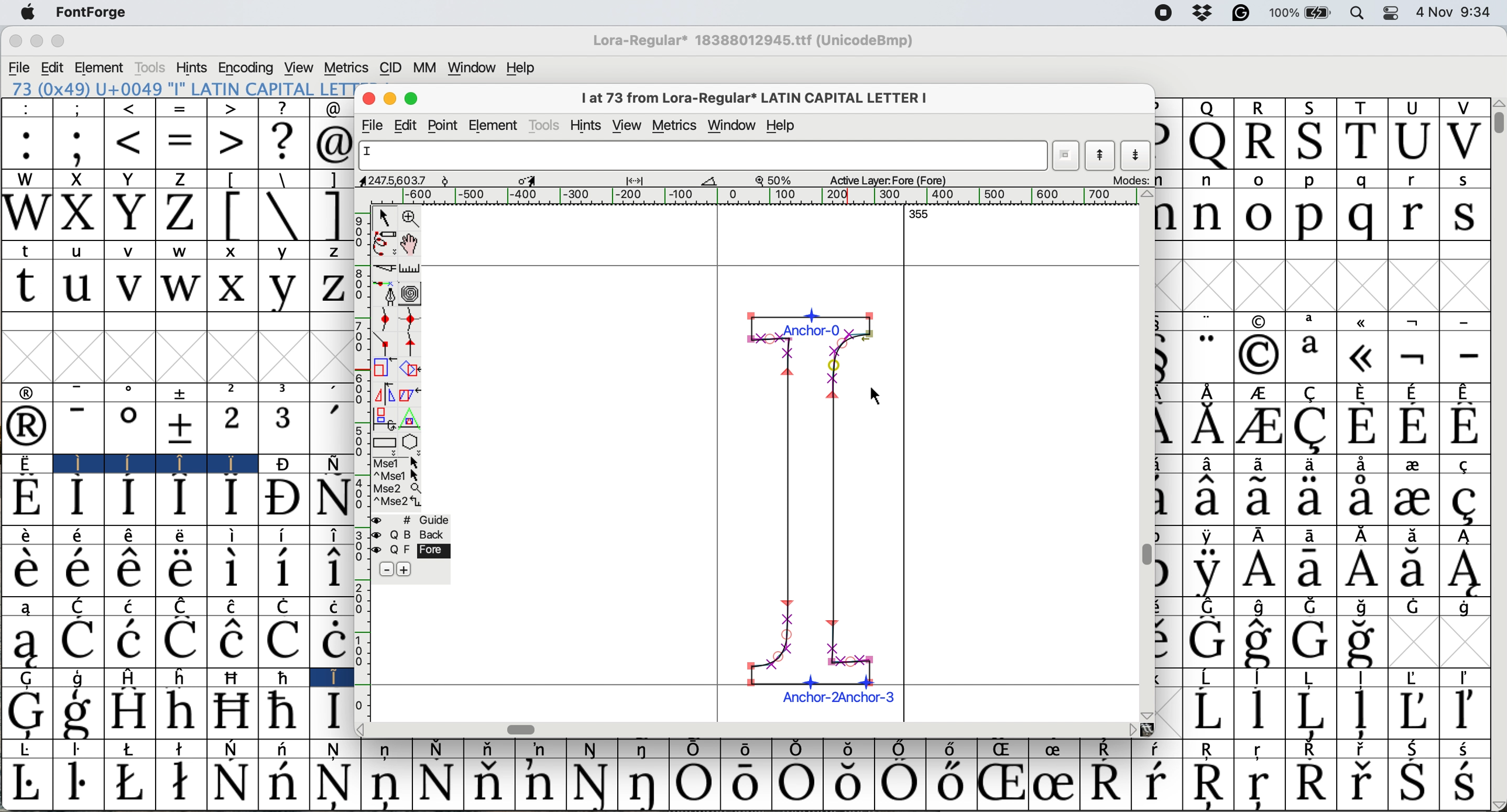 Image resolution: width=1507 pixels, height=812 pixels. Describe the element at coordinates (1357, 15) in the screenshot. I see `spotlight search` at that location.